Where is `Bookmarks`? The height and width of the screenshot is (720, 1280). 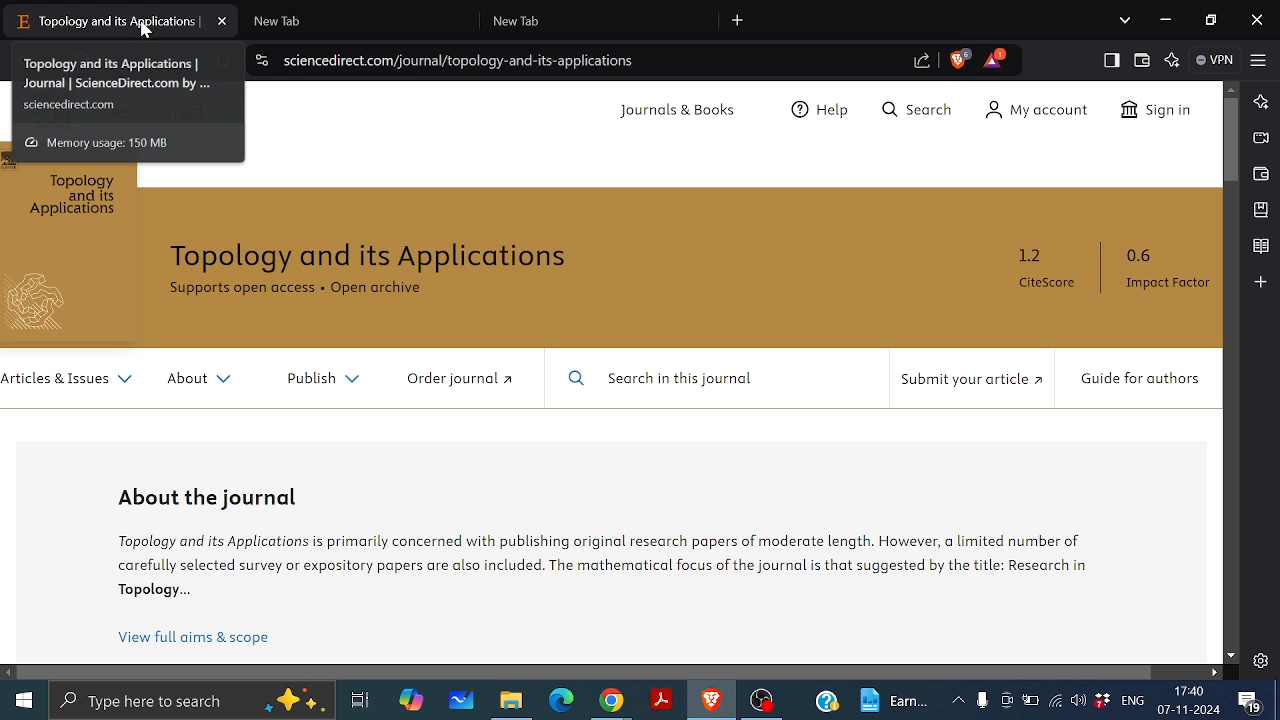
Bookmarks is located at coordinates (1261, 210).